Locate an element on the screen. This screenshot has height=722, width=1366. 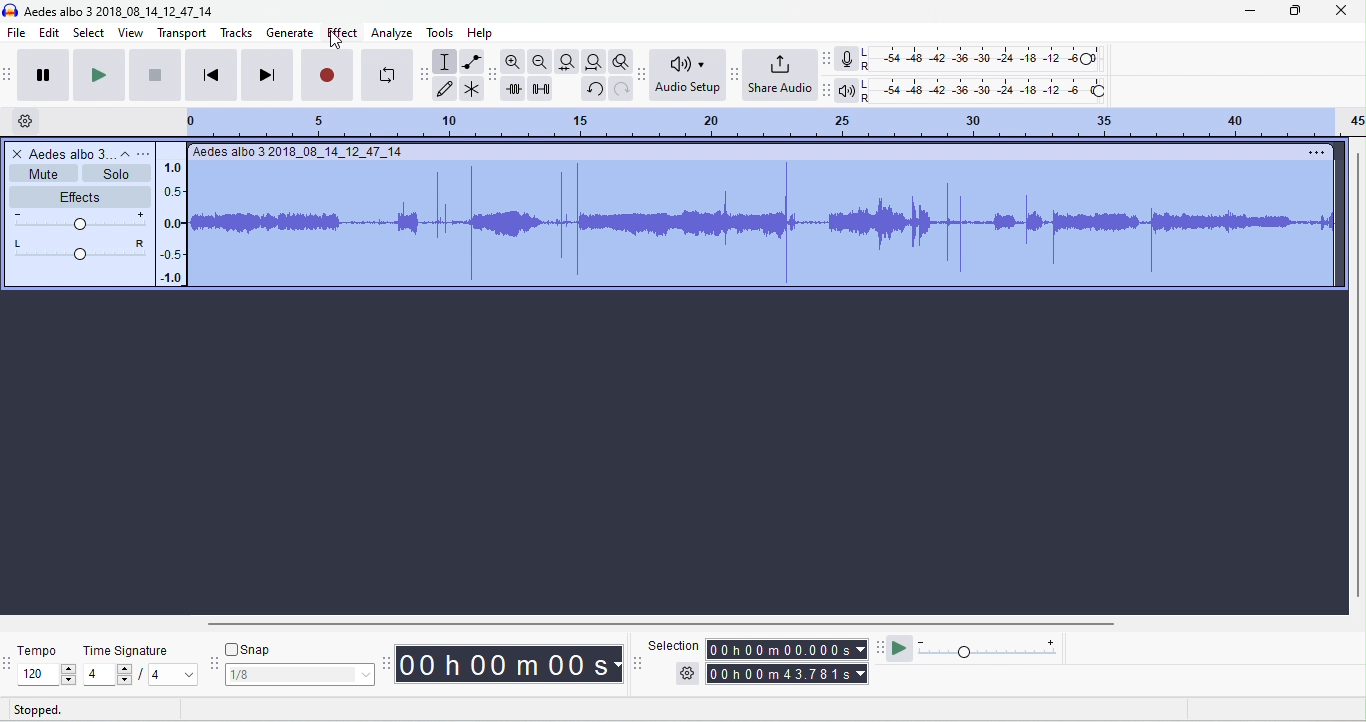
looping region is located at coordinates (775, 125).